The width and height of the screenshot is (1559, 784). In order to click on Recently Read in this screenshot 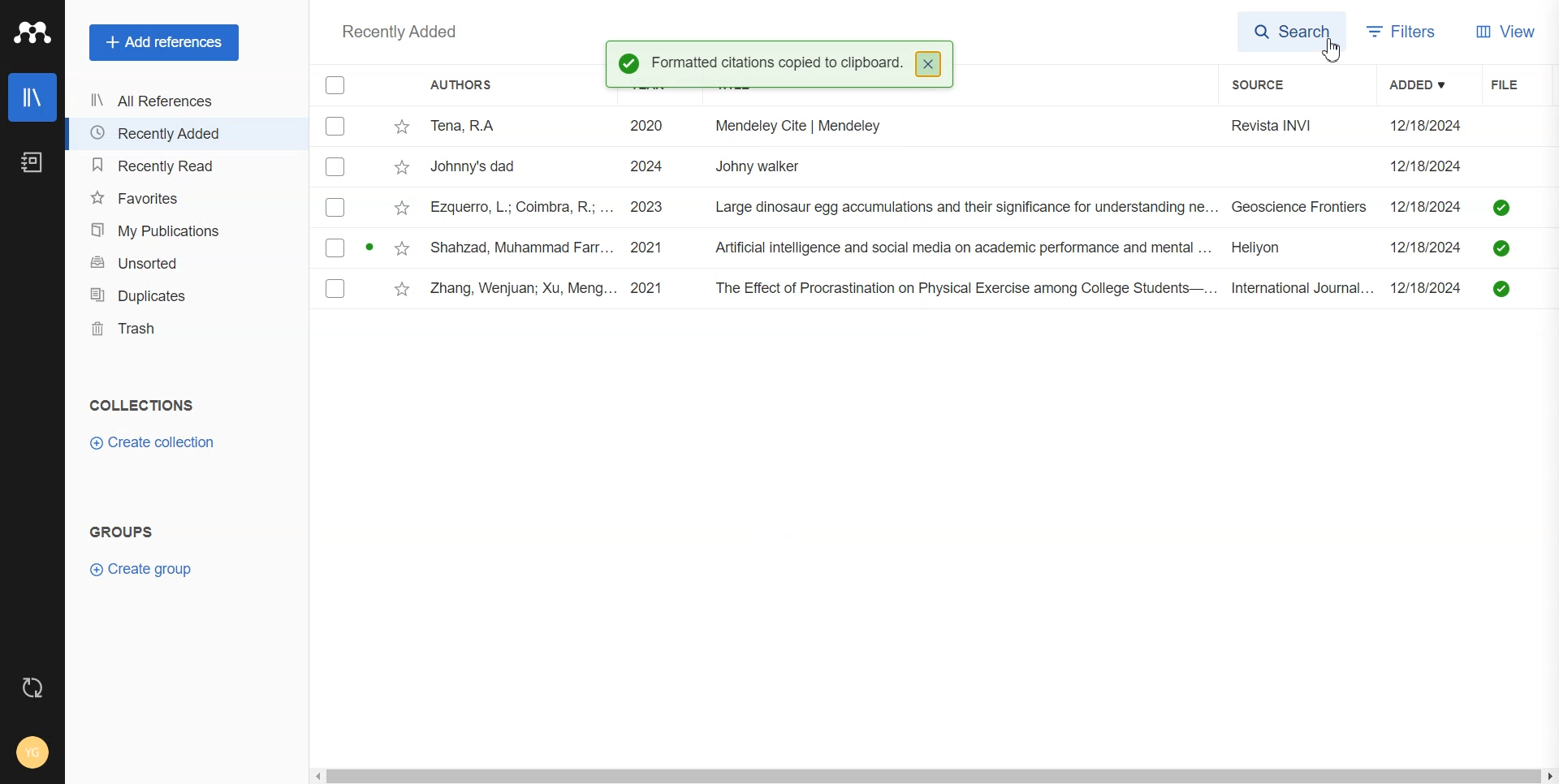, I will do `click(184, 166)`.